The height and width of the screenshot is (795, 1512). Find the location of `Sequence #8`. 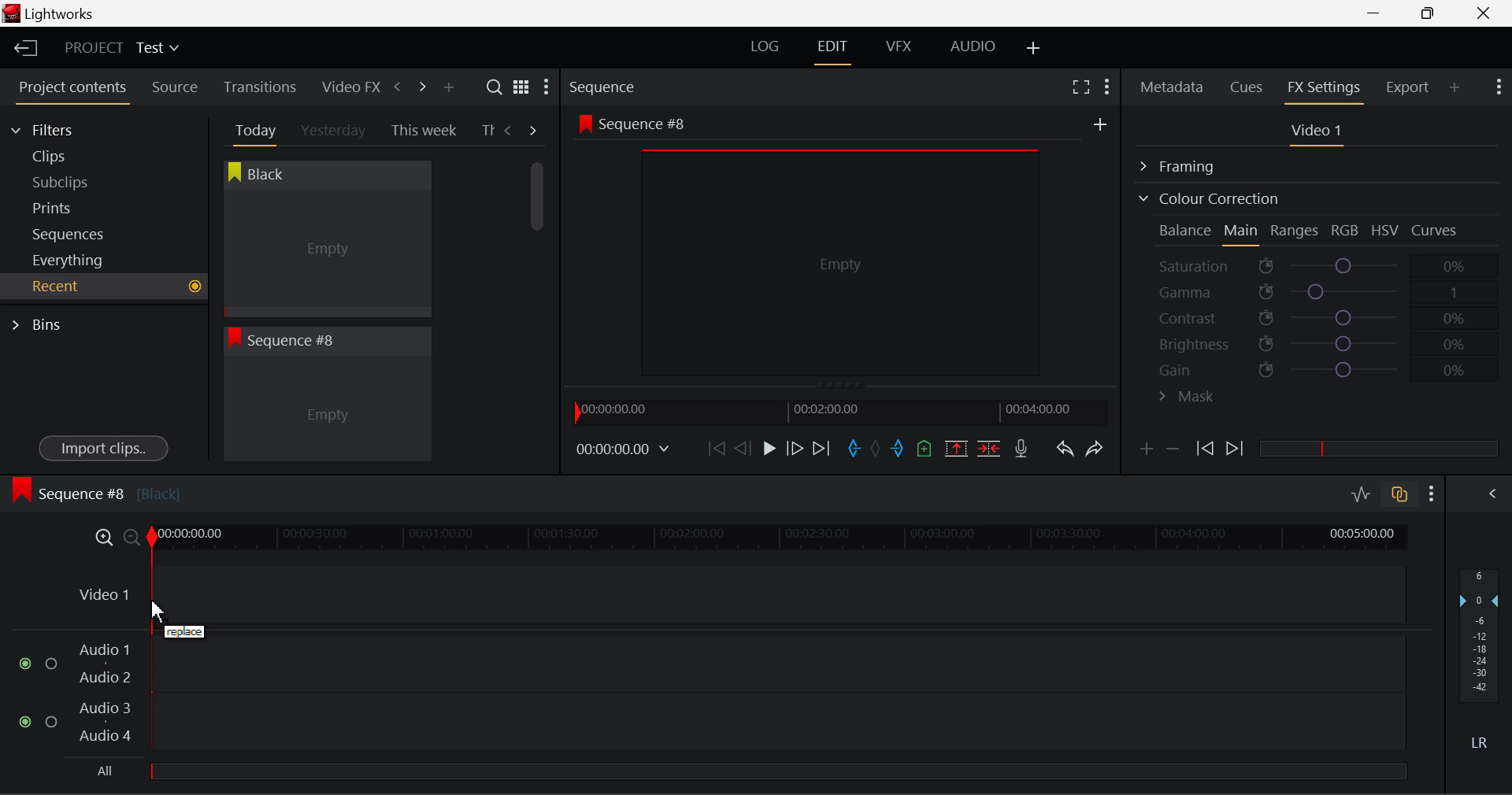

Sequence #8 is located at coordinates (95, 490).